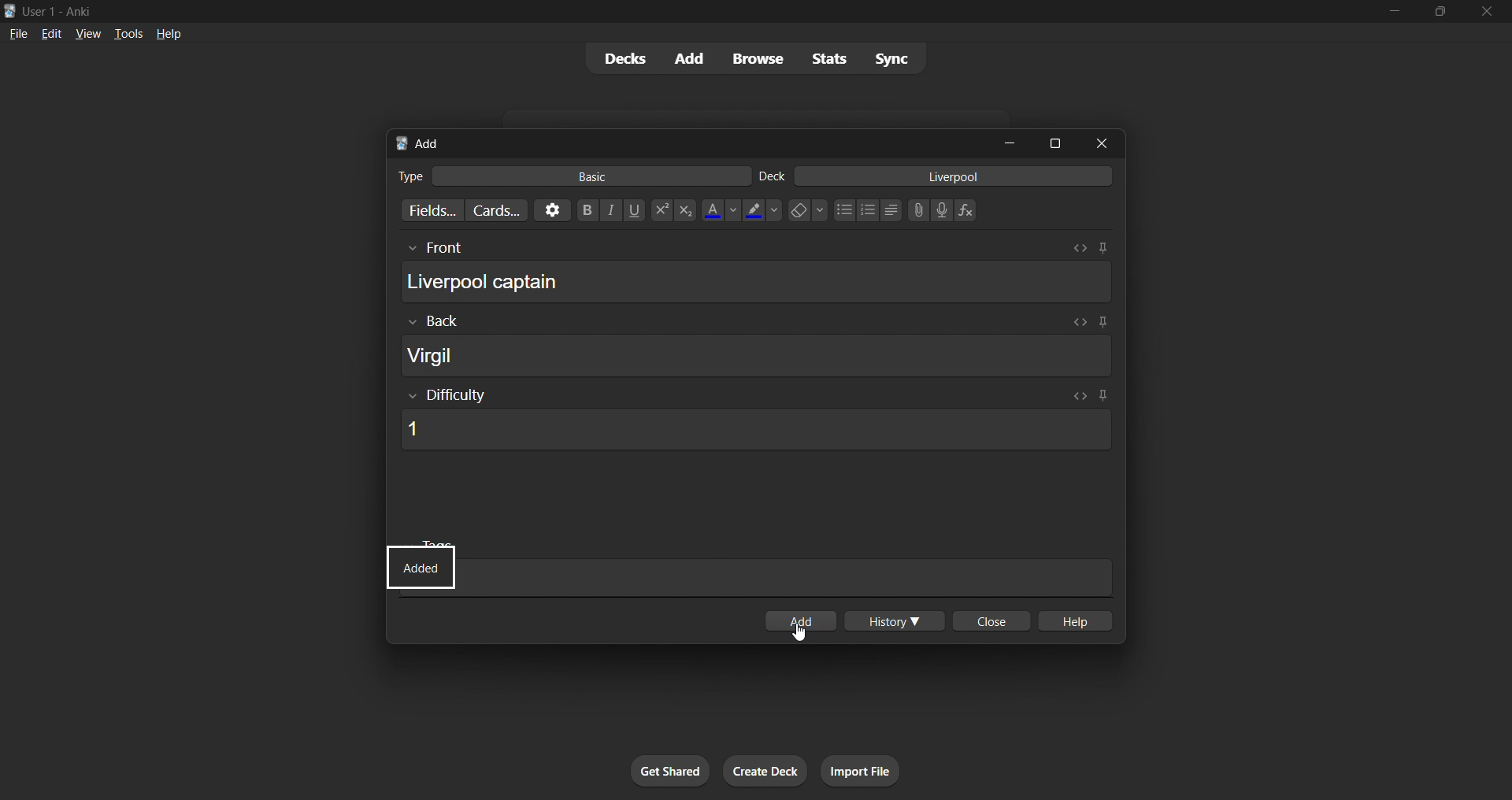  Describe the element at coordinates (1054, 143) in the screenshot. I see `maximize` at that location.